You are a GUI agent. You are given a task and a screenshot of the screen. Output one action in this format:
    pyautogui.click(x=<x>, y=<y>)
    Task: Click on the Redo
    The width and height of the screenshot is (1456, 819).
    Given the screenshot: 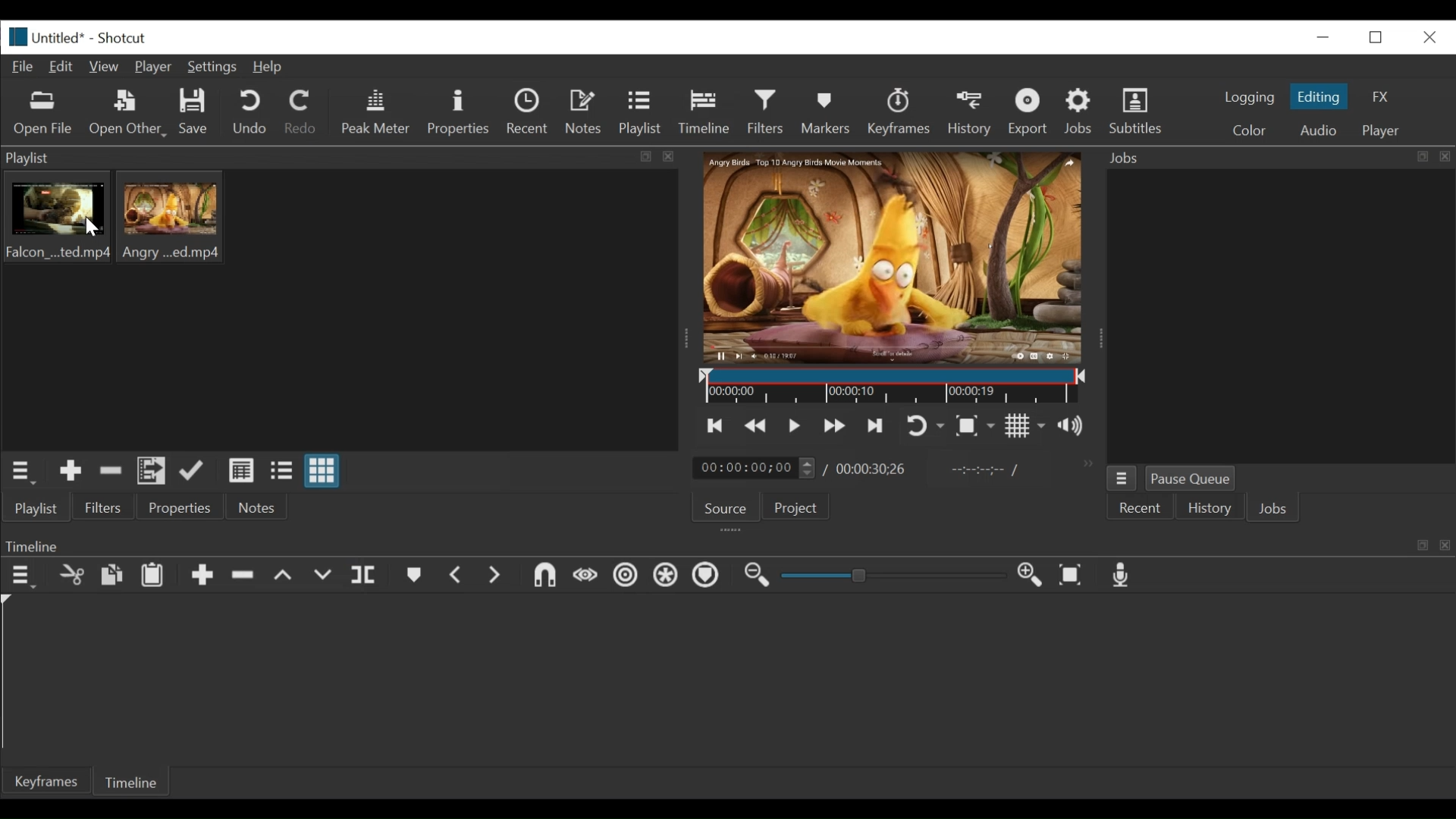 What is the action you would take?
    pyautogui.click(x=301, y=115)
    